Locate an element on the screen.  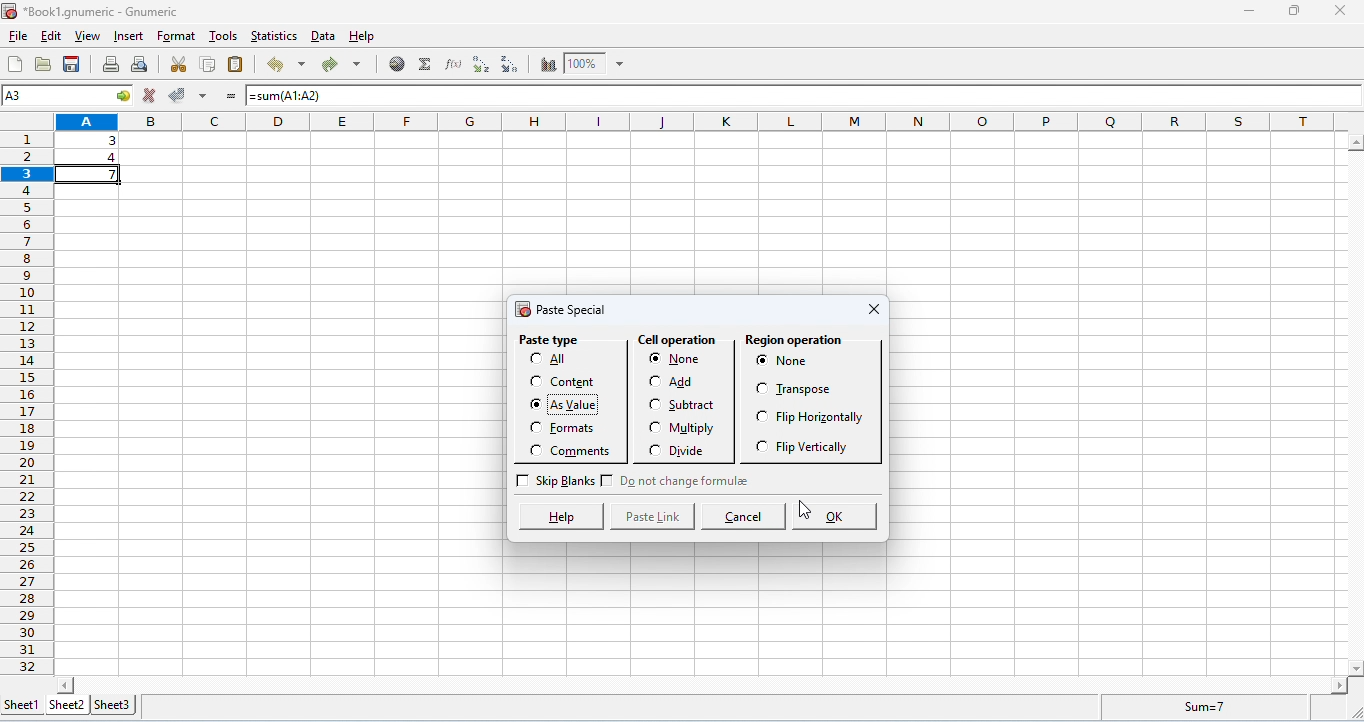
maximize is located at coordinates (1294, 11).